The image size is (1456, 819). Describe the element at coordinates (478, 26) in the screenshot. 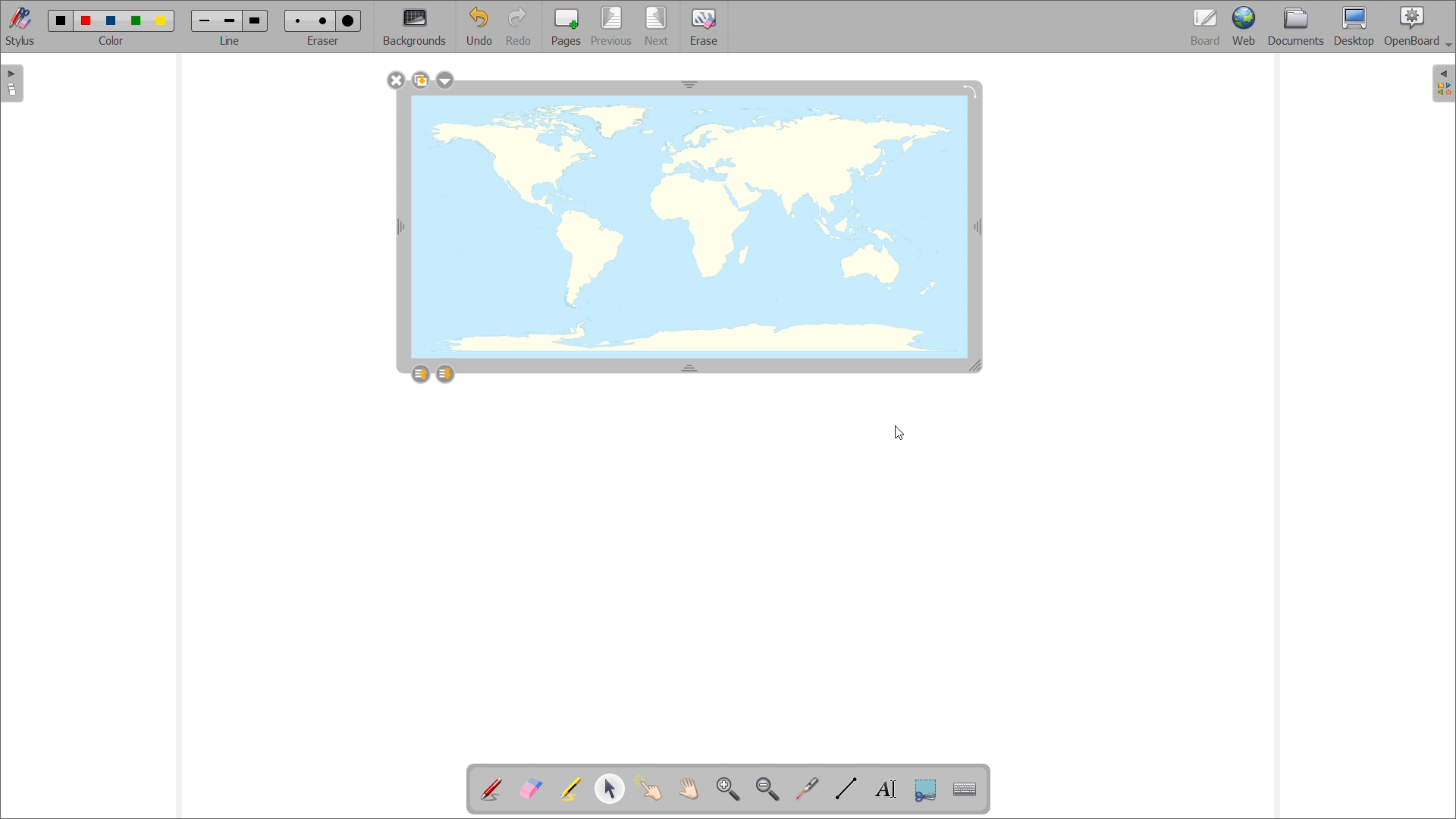

I see `undo` at that location.